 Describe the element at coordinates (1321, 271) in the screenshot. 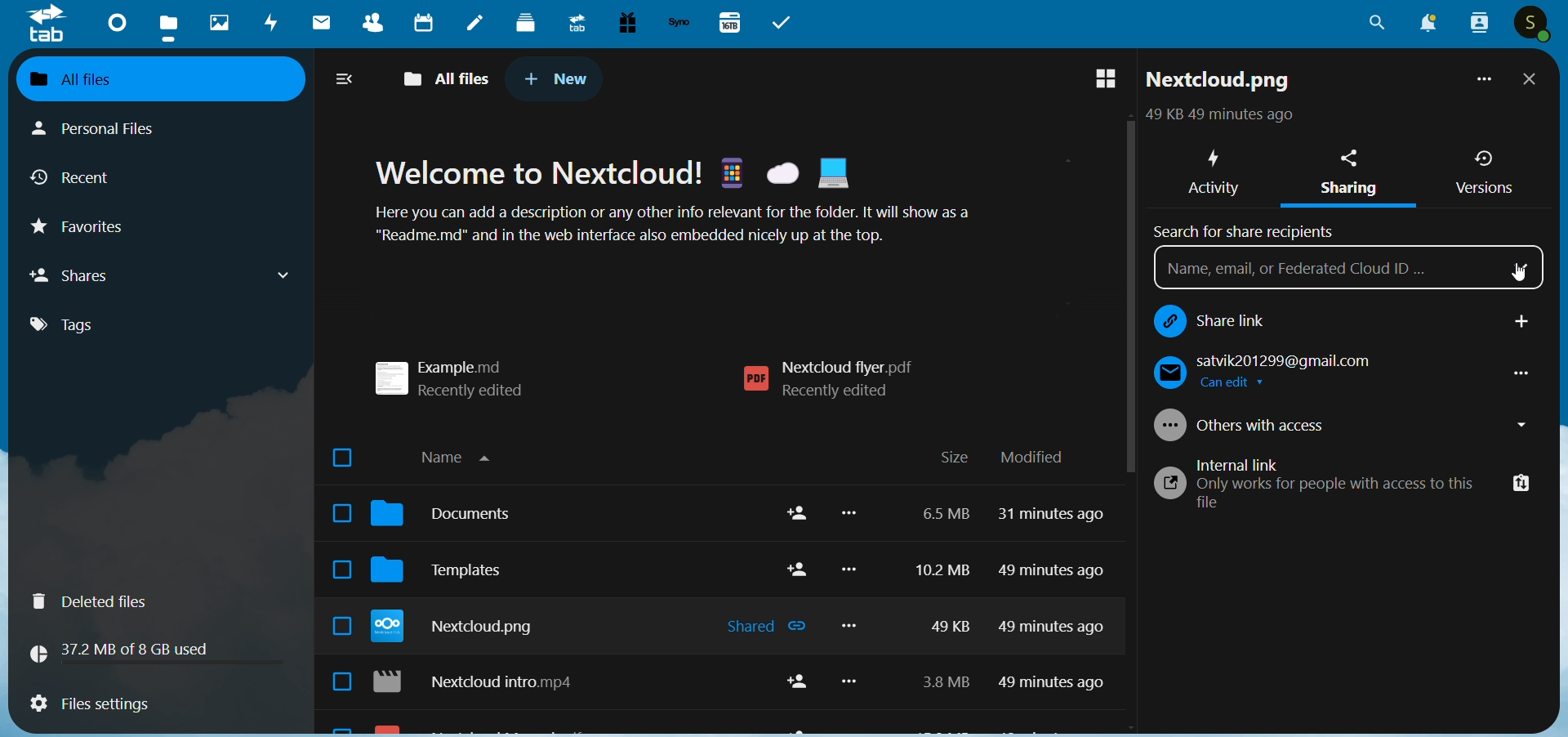

I see `search bar` at that location.